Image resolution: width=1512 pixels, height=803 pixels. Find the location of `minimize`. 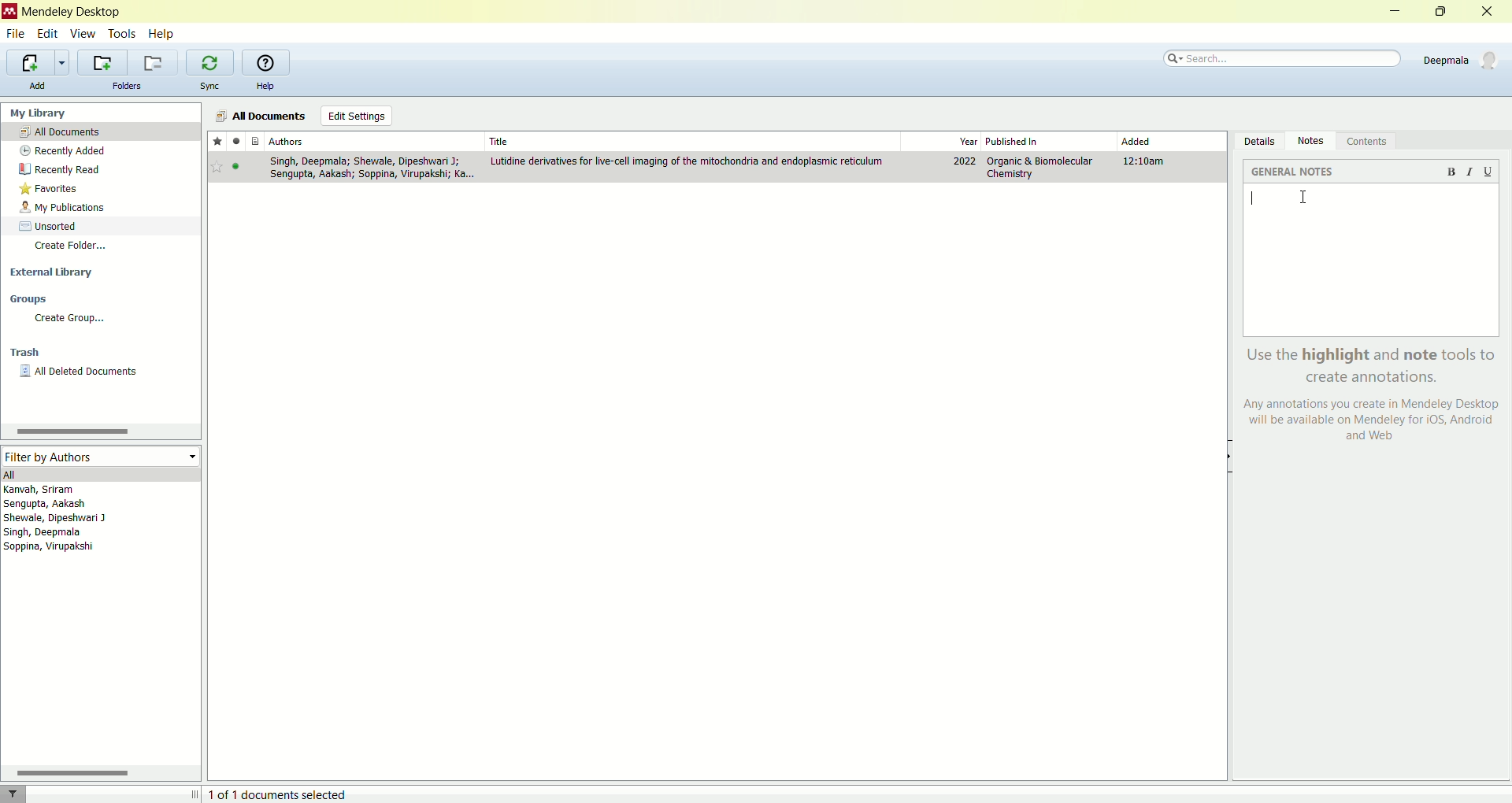

minimize is located at coordinates (1397, 11).